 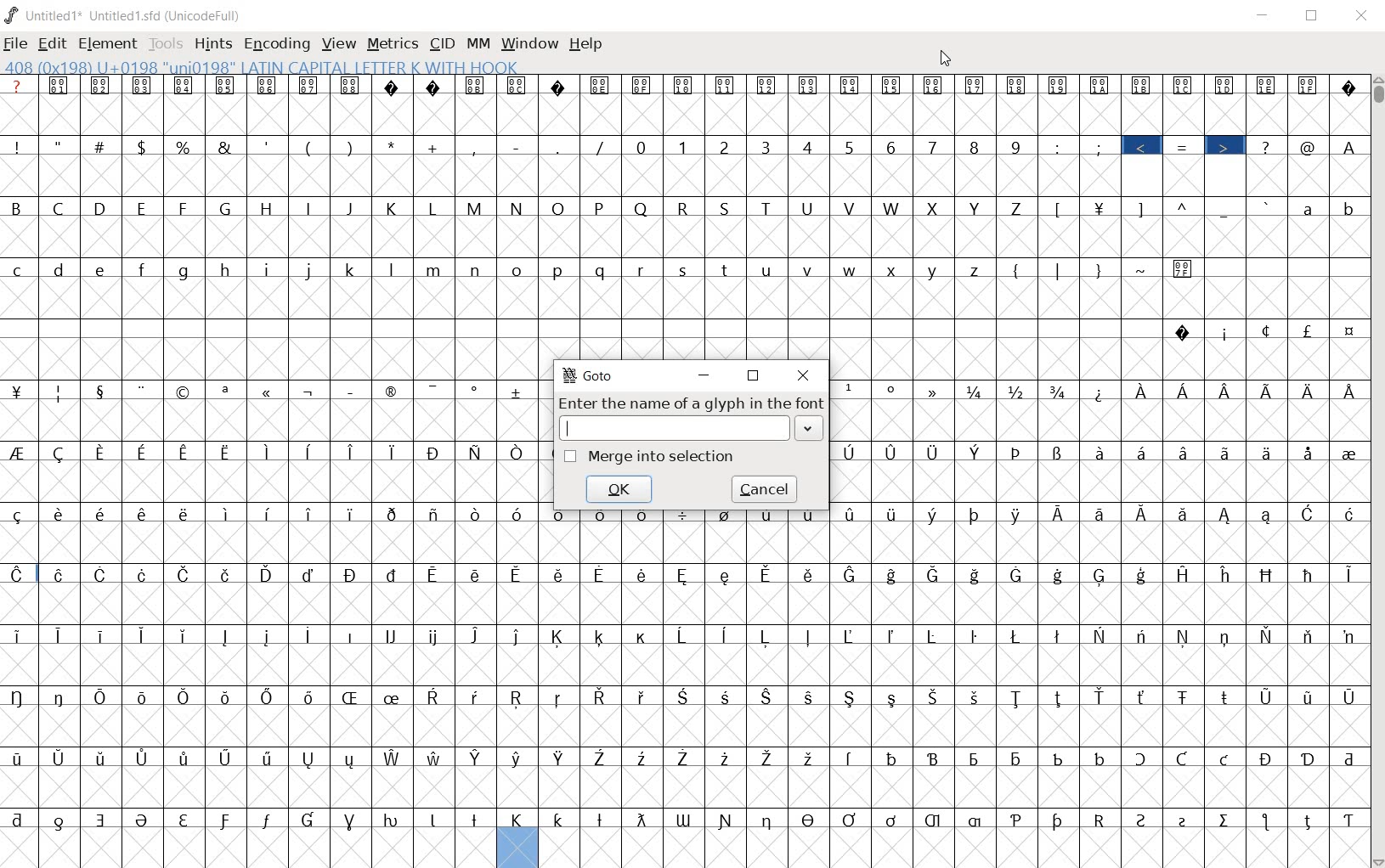 I want to click on restore down, so click(x=1314, y=18).